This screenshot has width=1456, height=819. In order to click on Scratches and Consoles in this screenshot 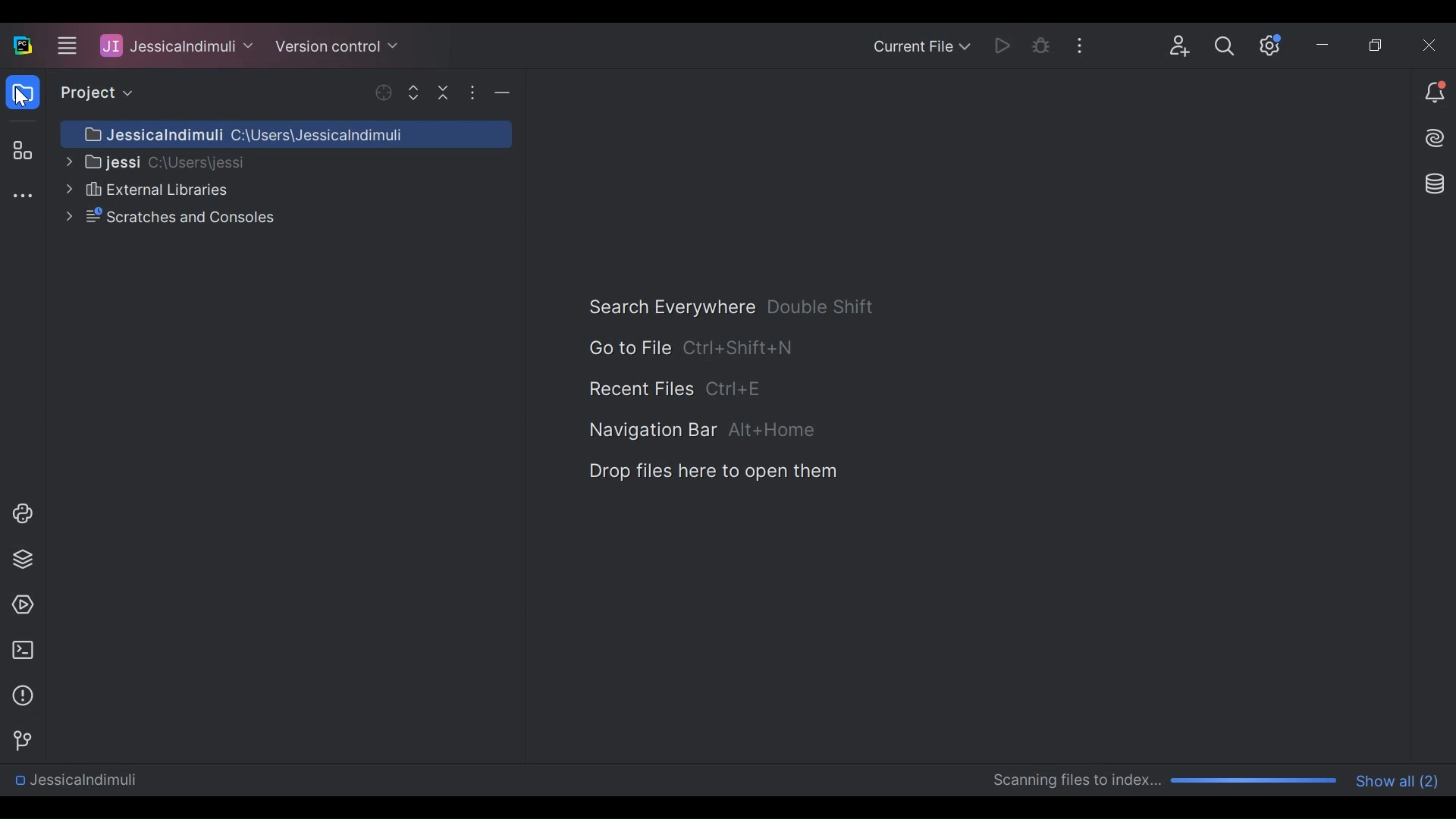, I will do `click(176, 218)`.